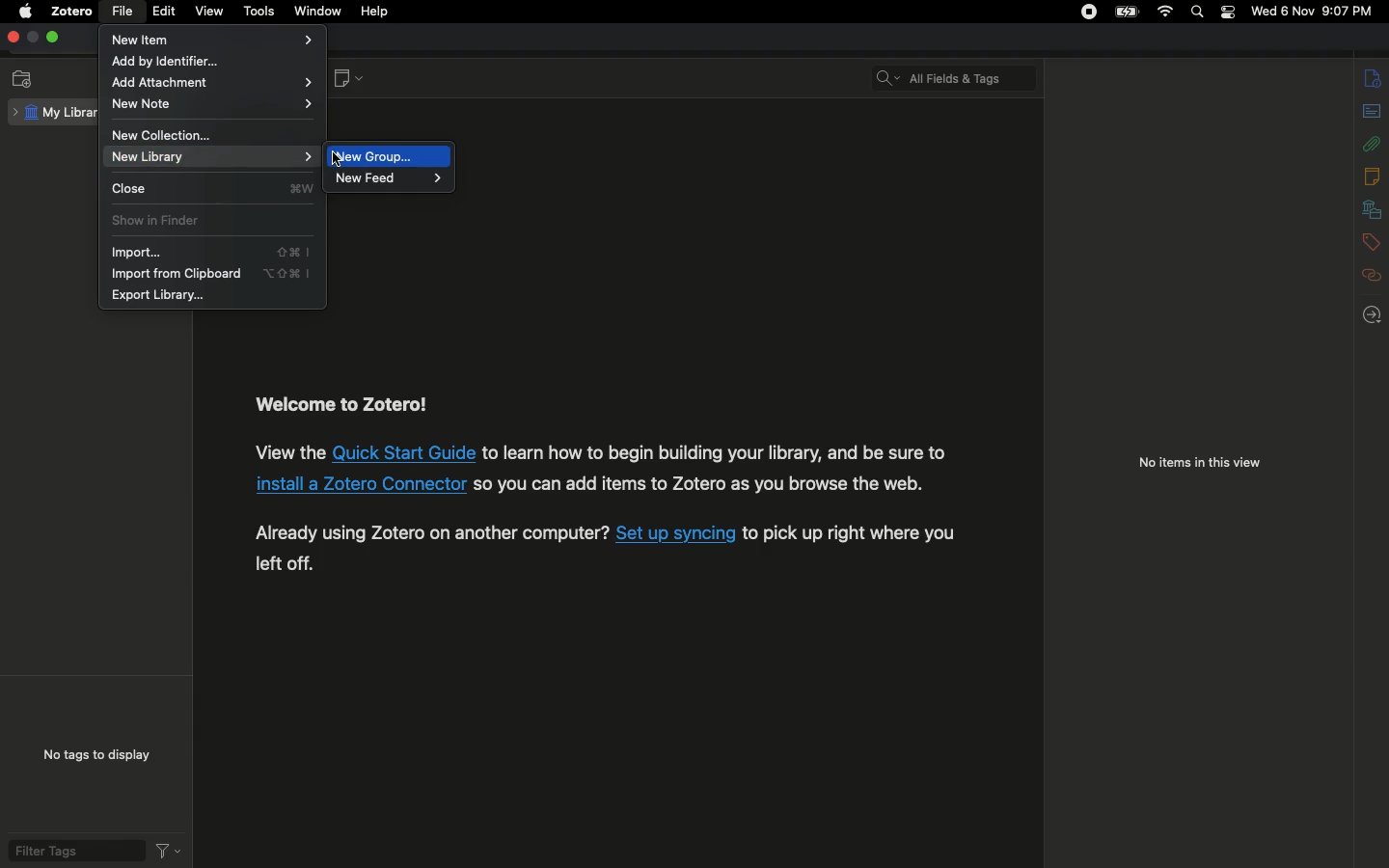 The image size is (1389, 868). I want to click on New feed, so click(391, 181).